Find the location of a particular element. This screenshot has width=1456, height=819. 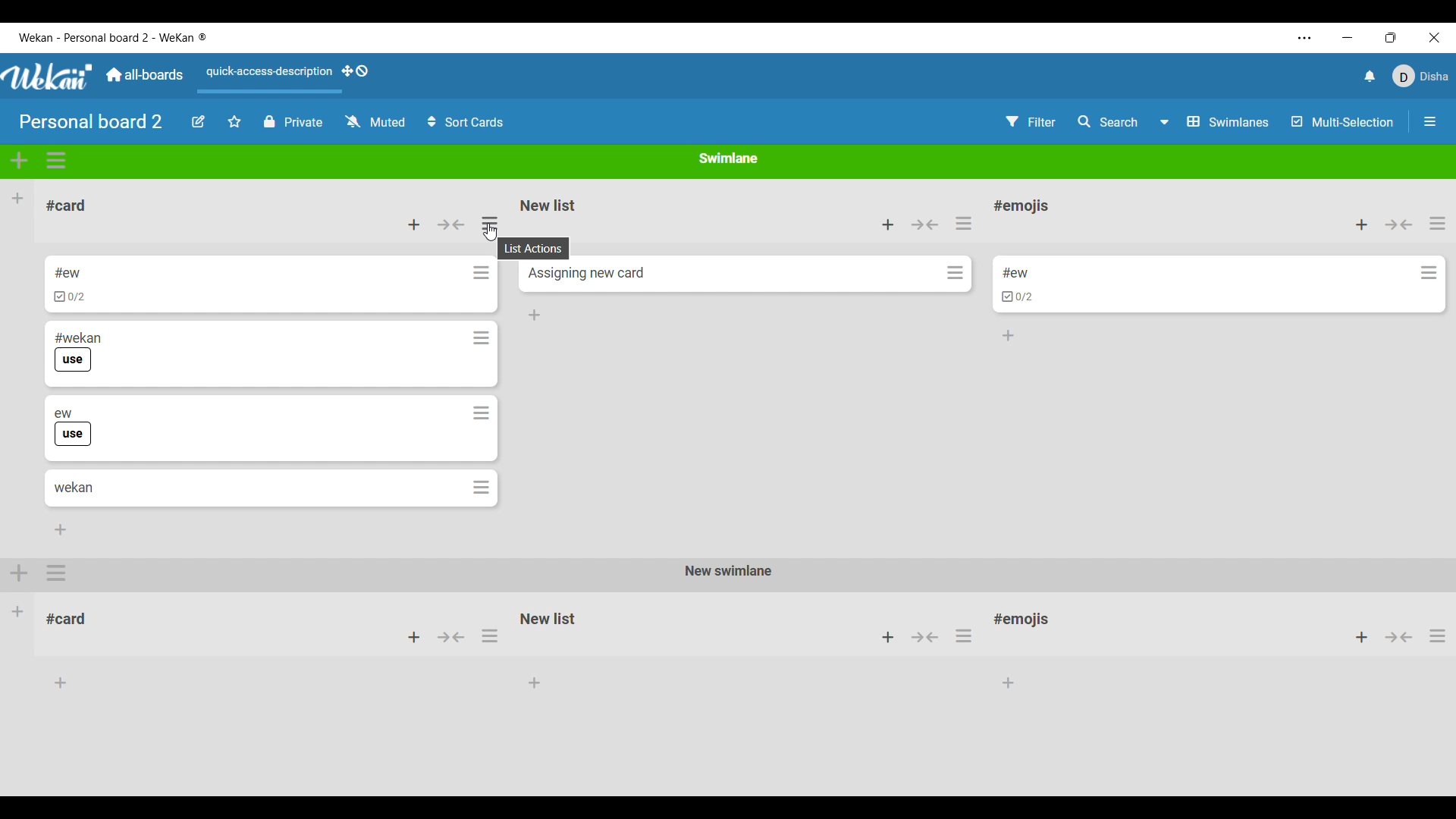

Multi-selection is located at coordinates (1344, 121).